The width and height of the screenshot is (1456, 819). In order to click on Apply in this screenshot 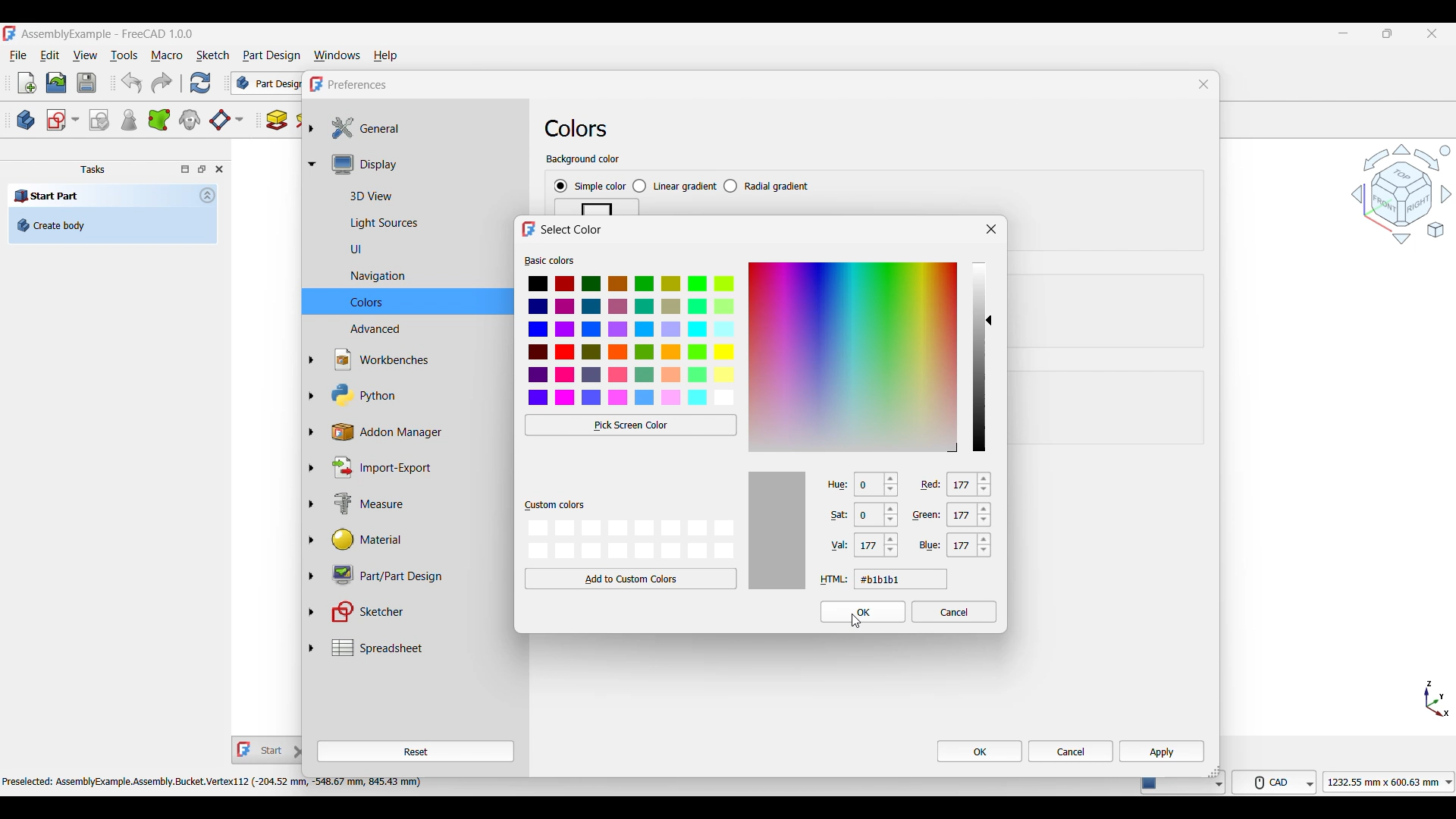, I will do `click(1162, 751)`.